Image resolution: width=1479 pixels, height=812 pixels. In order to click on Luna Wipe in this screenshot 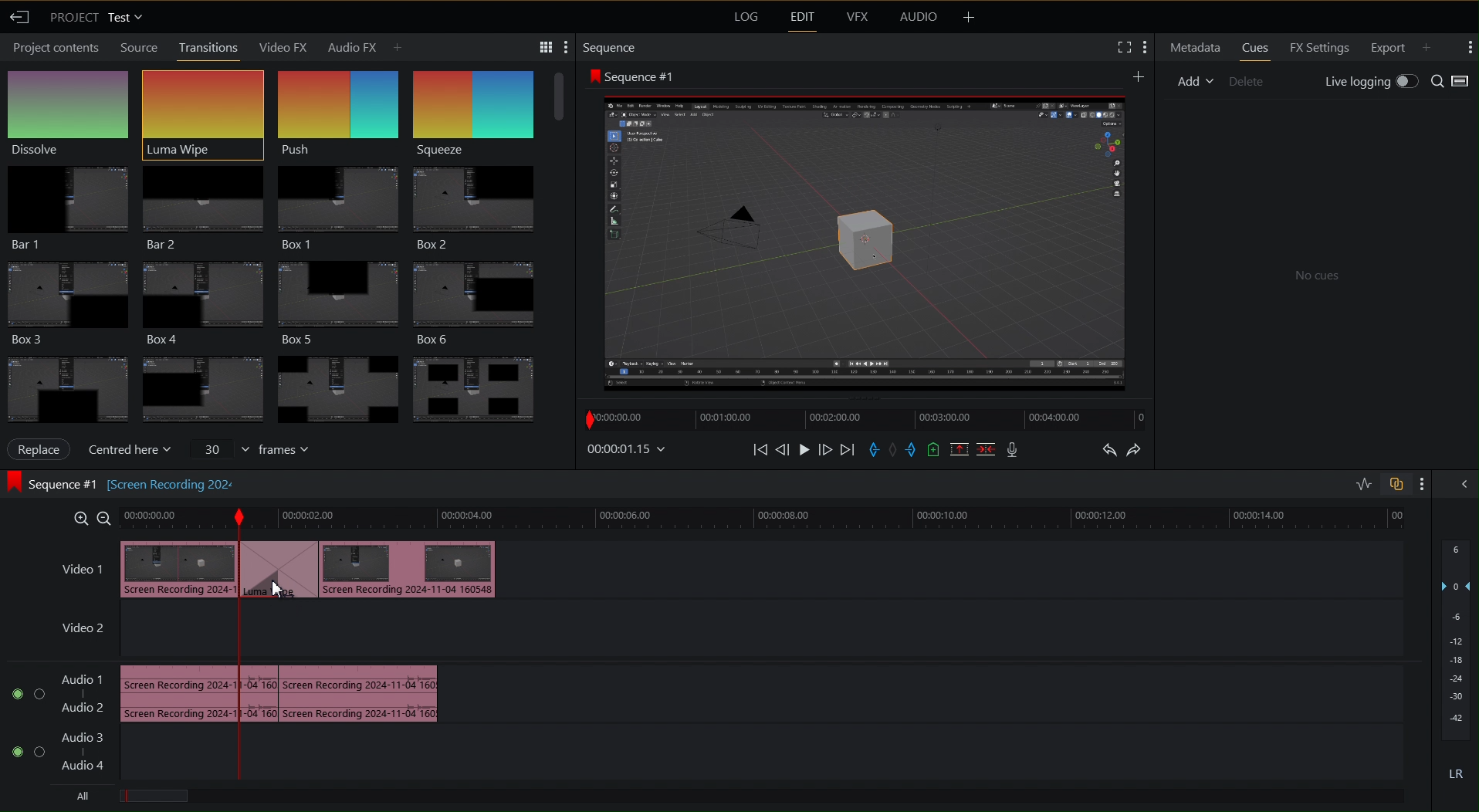, I will do `click(201, 107)`.